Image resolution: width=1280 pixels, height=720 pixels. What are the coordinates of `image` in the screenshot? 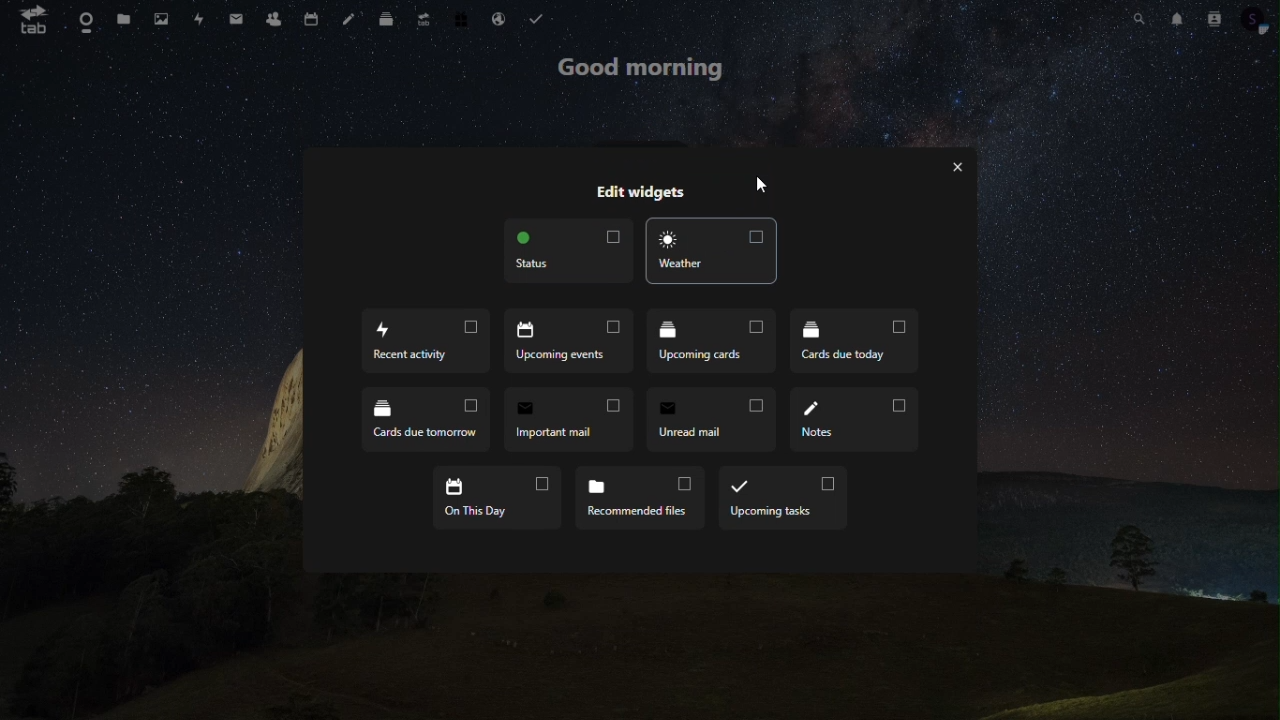 It's located at (160, 19).